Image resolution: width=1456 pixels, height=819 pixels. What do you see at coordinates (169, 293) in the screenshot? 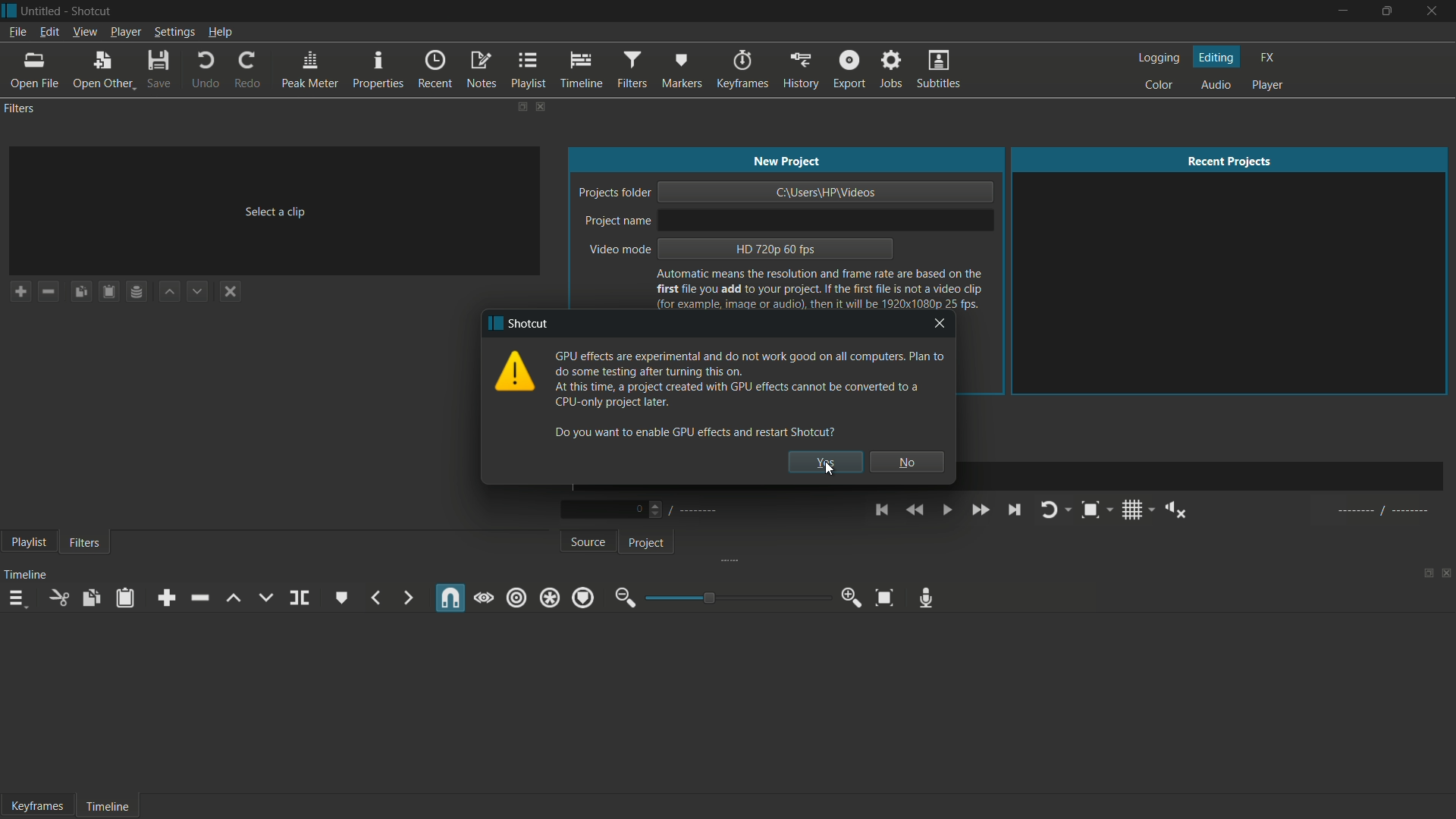
I see `move filter up` at bounding box center [169, 293].